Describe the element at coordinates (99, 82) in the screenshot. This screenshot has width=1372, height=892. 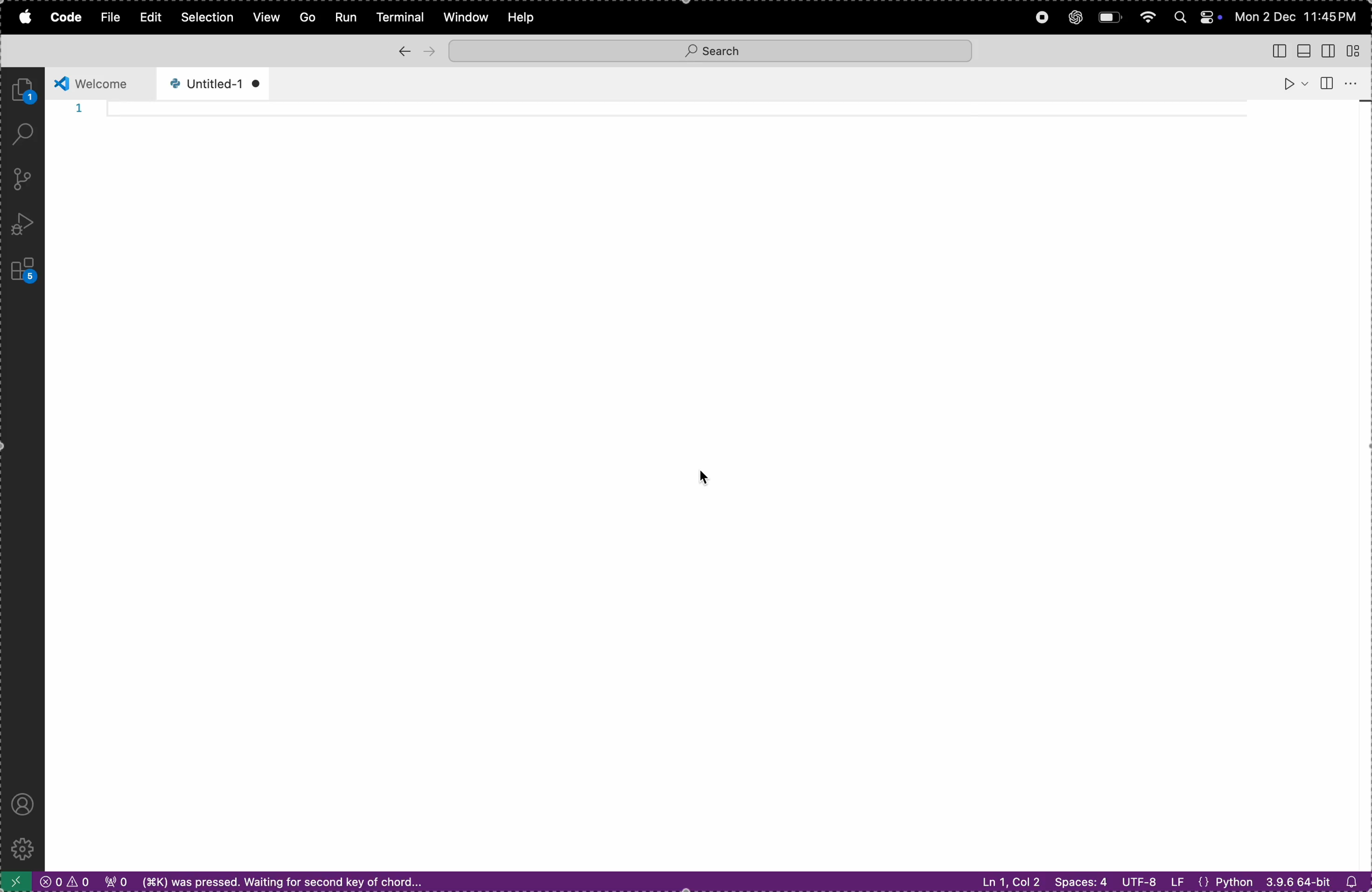
I see `welcome` at that location.